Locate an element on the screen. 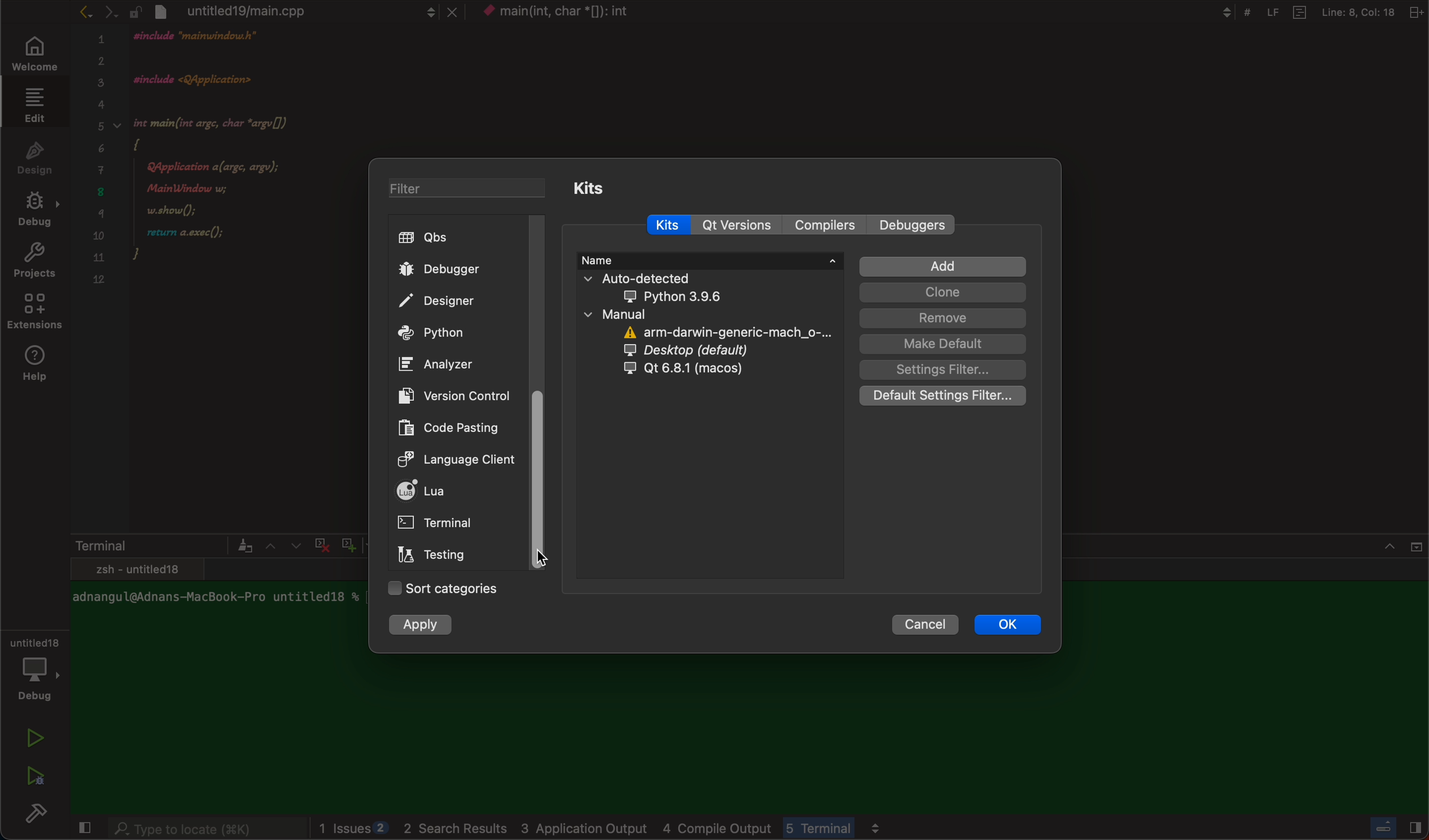 This screenshot has width=1429, height=840. code is located at coordinates (236, 171).